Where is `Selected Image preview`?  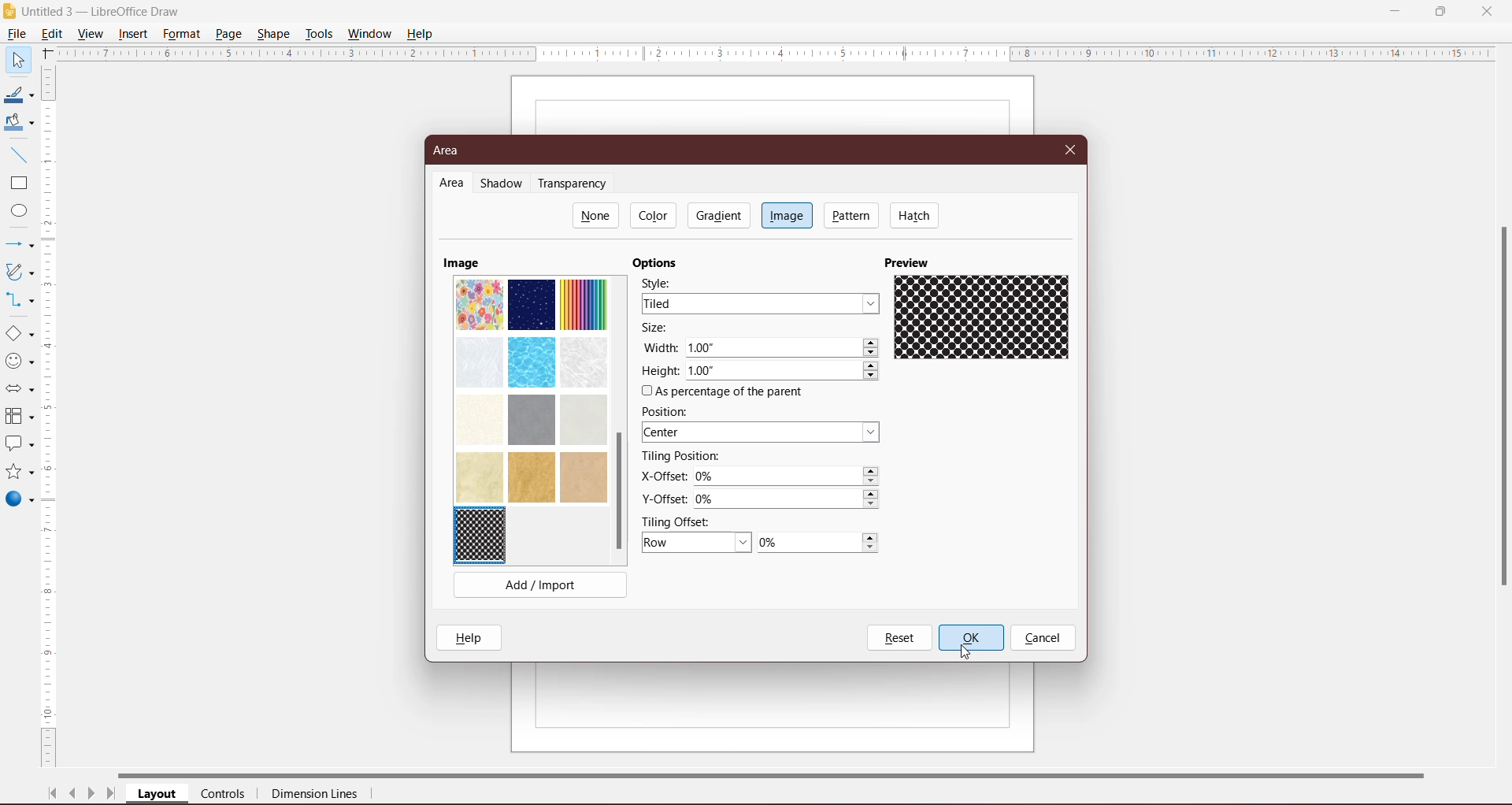
Selected Image preview is located at coordinates (985, 320).